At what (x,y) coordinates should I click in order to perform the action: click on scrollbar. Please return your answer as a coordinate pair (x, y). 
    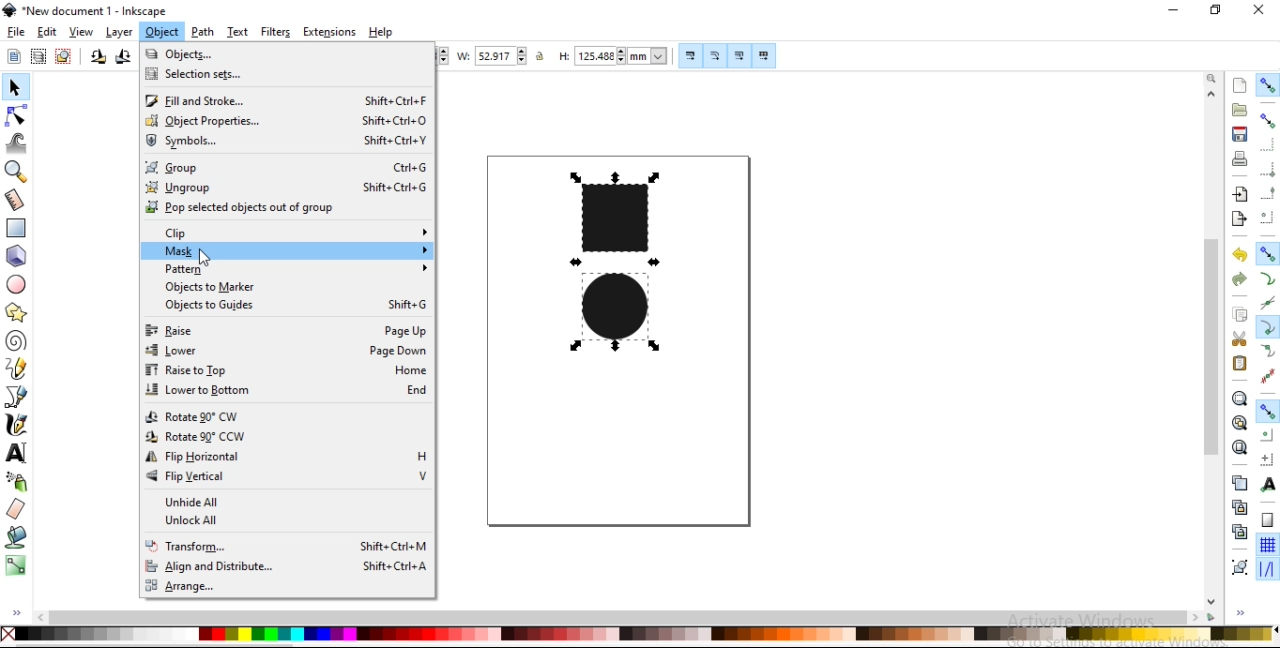
    Looking at the image, I should click on (1214, 341).